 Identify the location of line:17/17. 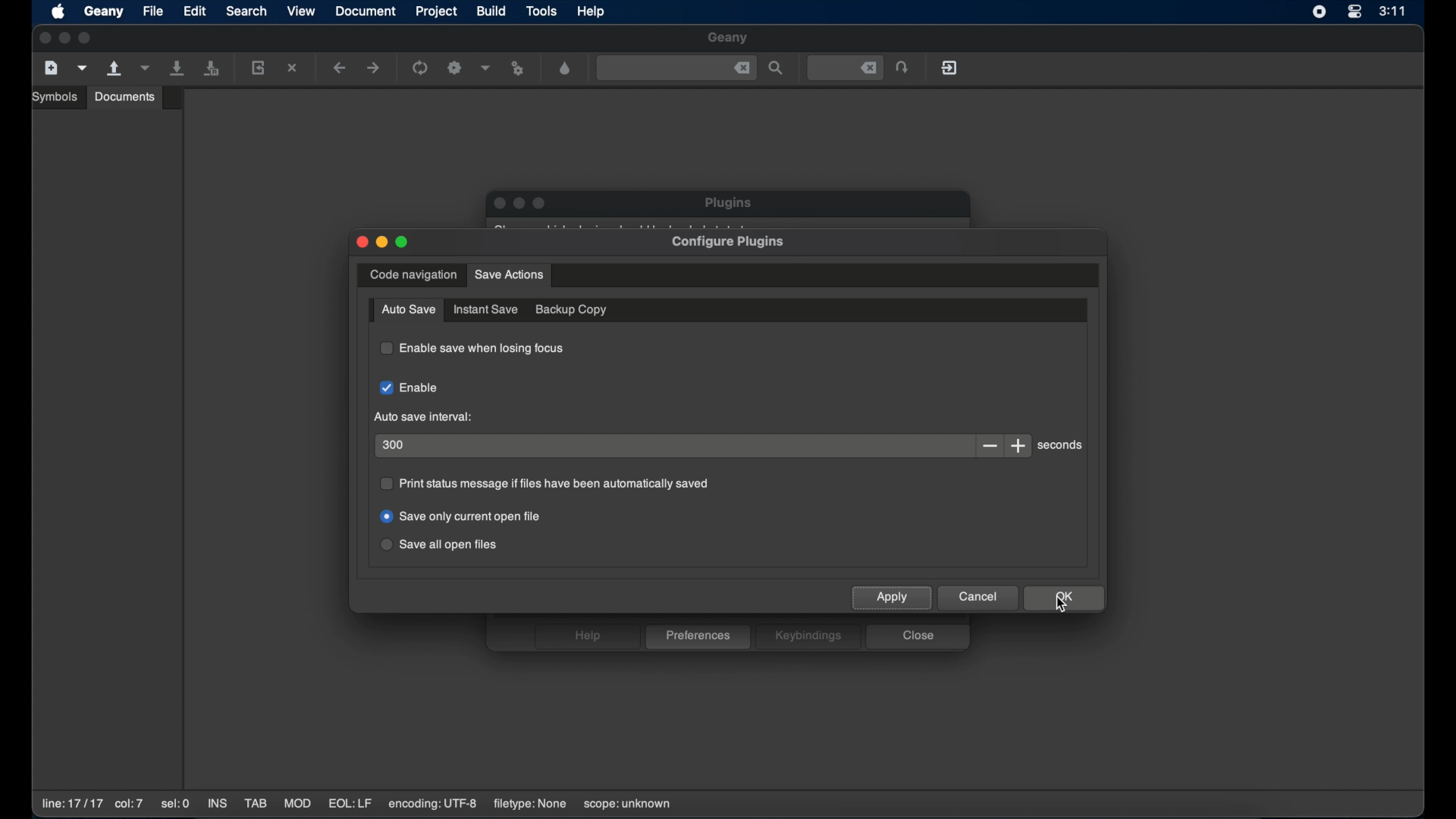
(71, 804).